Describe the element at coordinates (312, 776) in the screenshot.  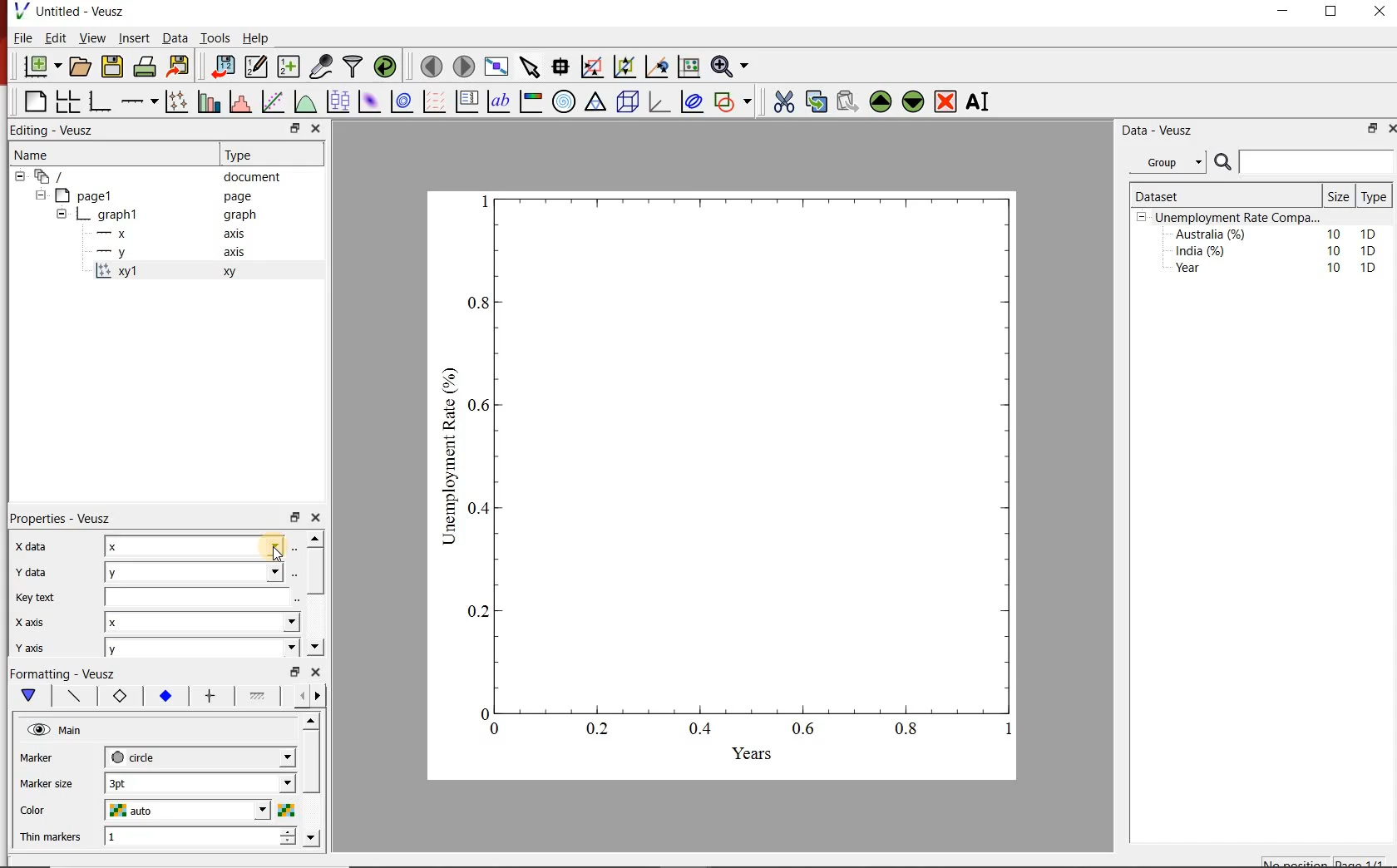
I see `scroll bar` at that location.